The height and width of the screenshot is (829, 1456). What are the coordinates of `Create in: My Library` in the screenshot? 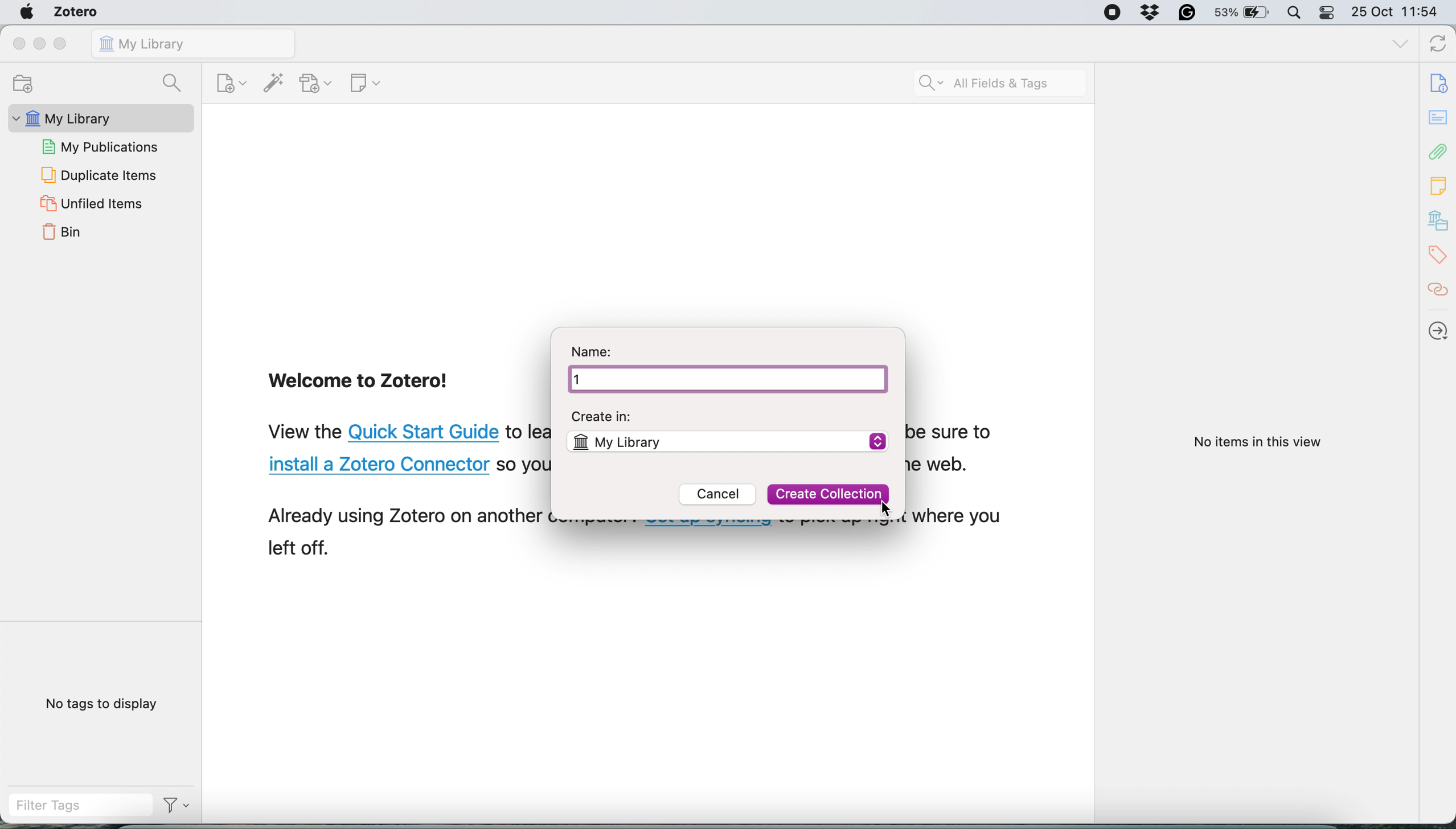 It's located at (727, 428).